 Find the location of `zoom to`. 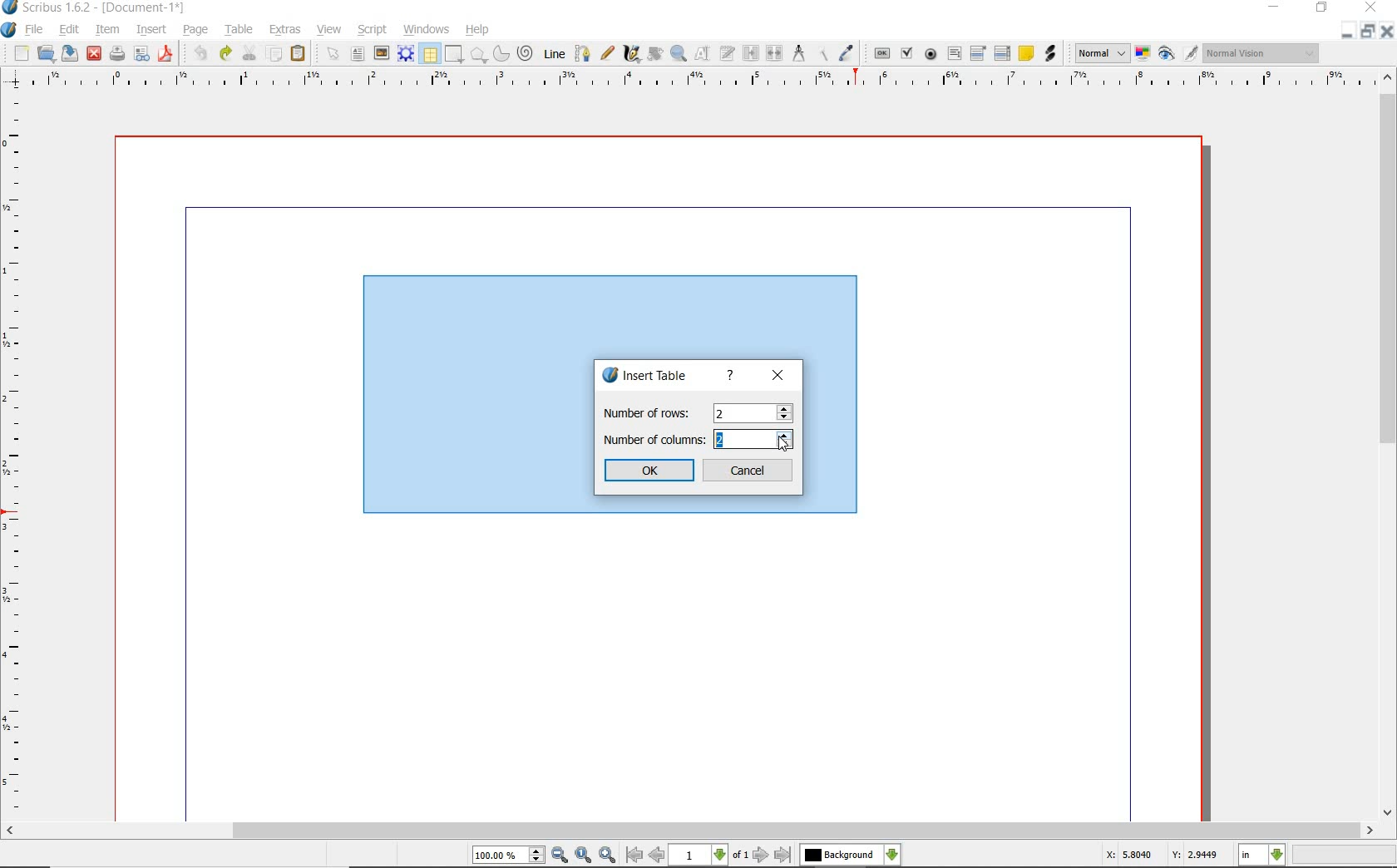

zoom to is located at coordinates (583, 856).